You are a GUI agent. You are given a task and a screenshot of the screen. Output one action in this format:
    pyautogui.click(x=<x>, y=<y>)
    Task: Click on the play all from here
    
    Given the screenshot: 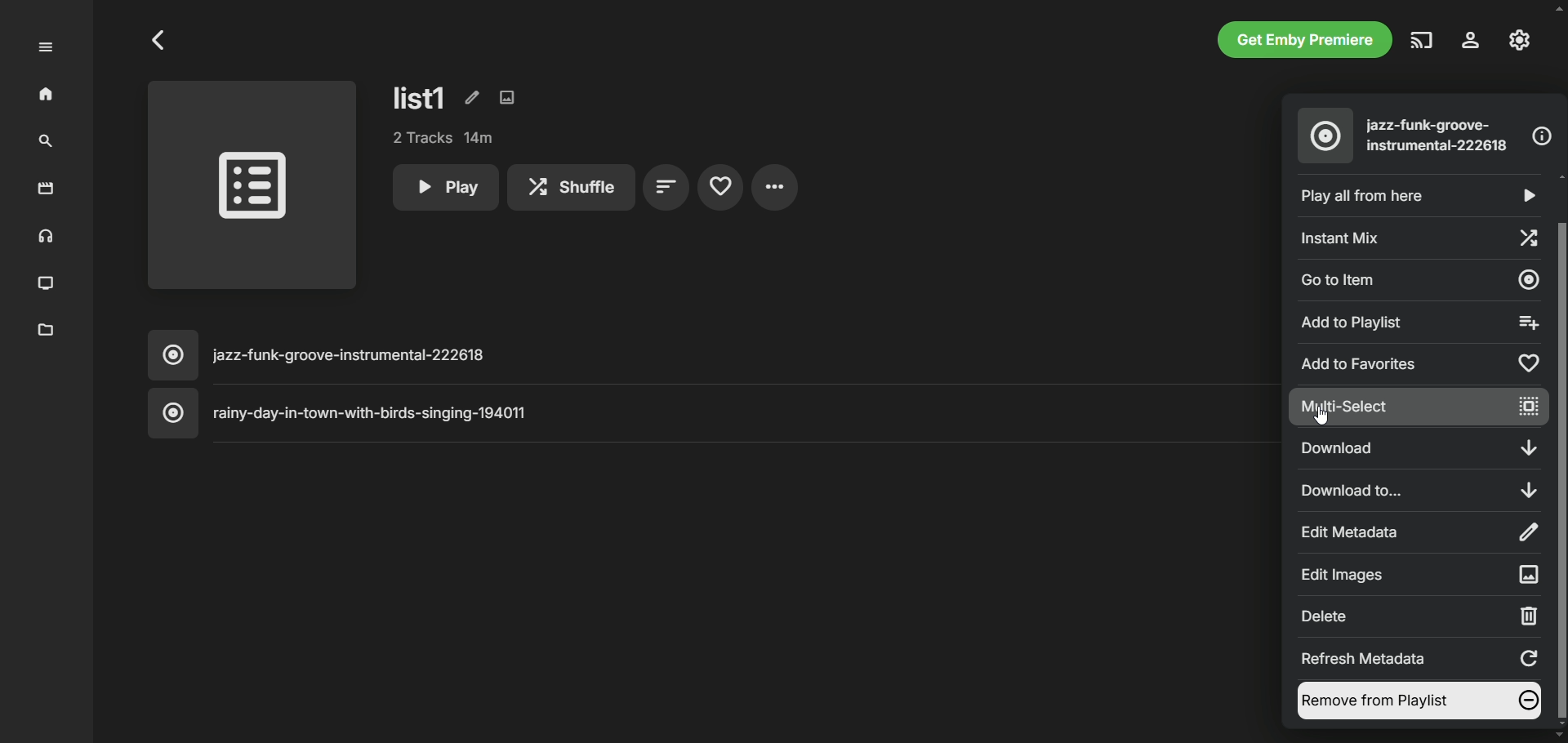 What is the action you would take?
    pyautogui.click(x=1415, y=196)
    